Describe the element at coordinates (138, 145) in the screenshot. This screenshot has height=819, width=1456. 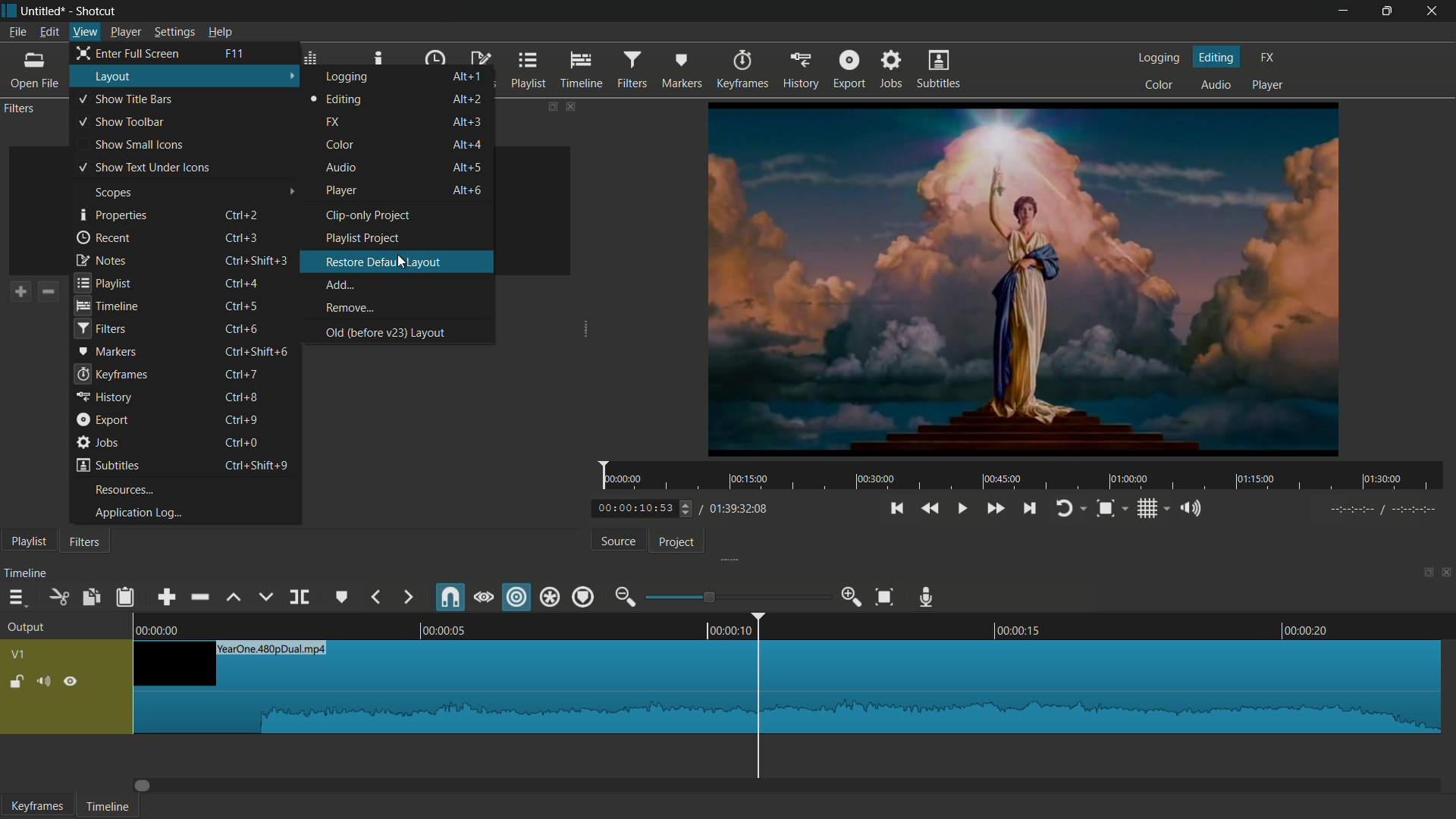
I see `show small icons` at that location.